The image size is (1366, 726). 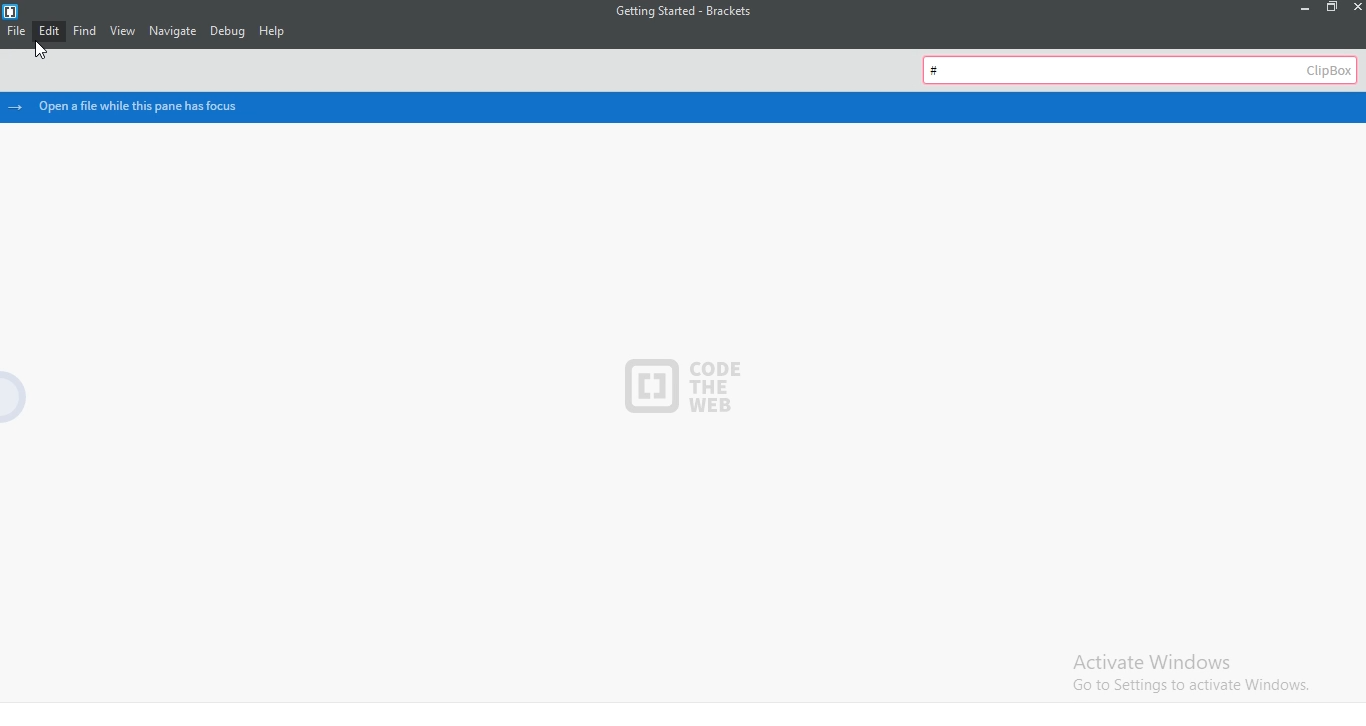 I want to click on Navigate, so click(x=173, y=32).